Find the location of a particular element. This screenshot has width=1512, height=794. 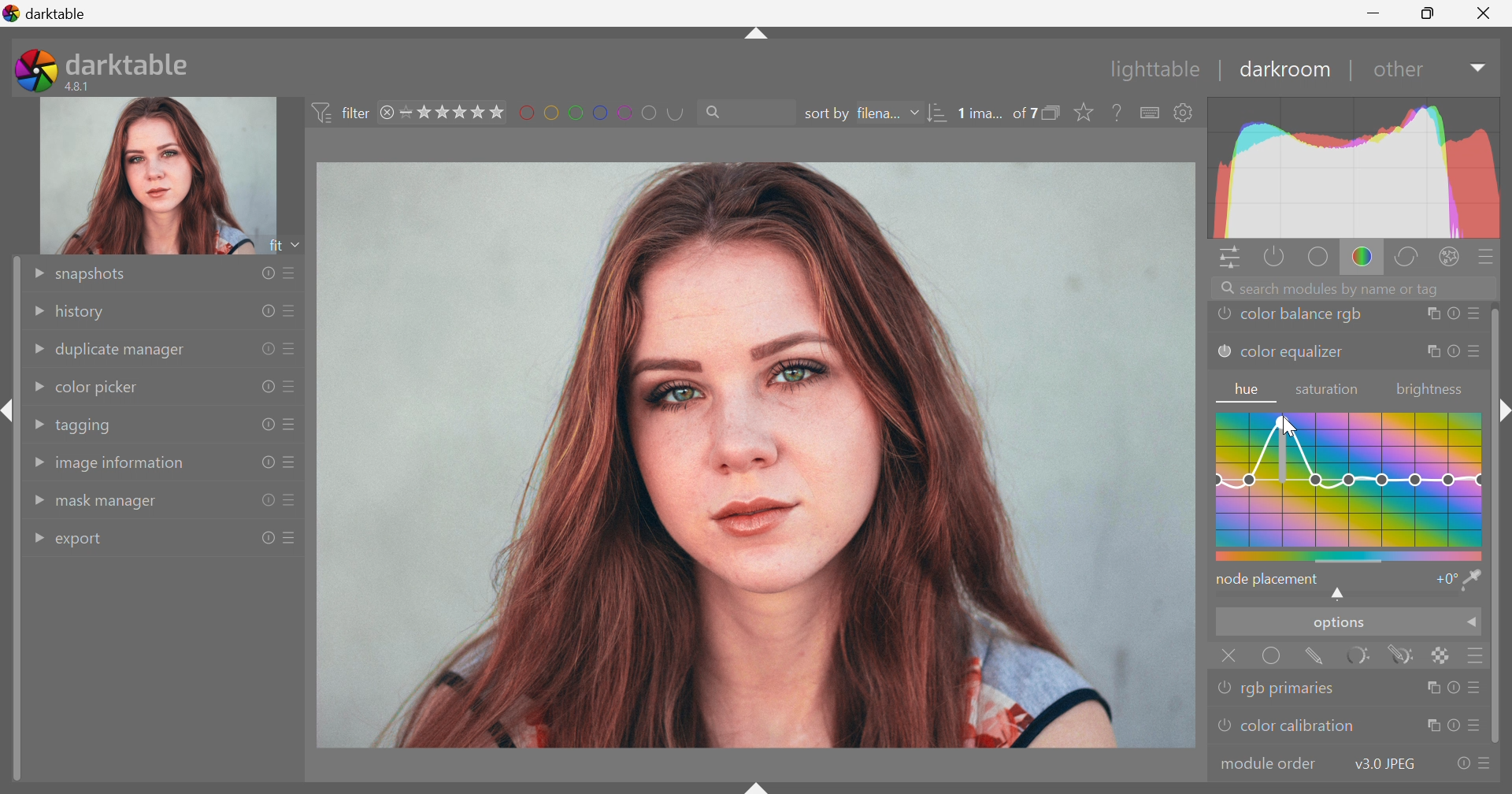

color balance rgb is located at coordinates (1303, 315).